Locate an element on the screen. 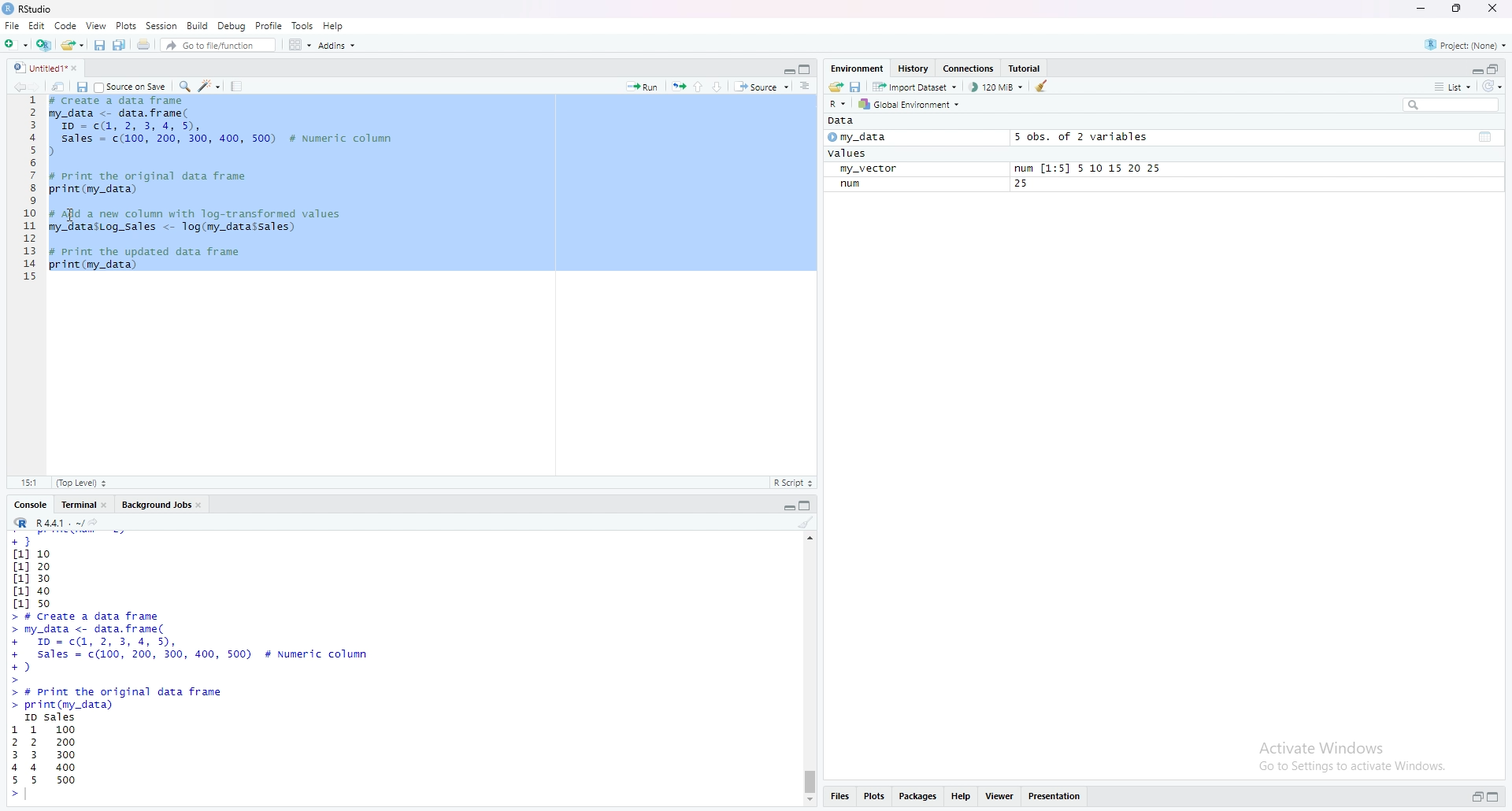  maximize is located at coordinates (1497, 794).